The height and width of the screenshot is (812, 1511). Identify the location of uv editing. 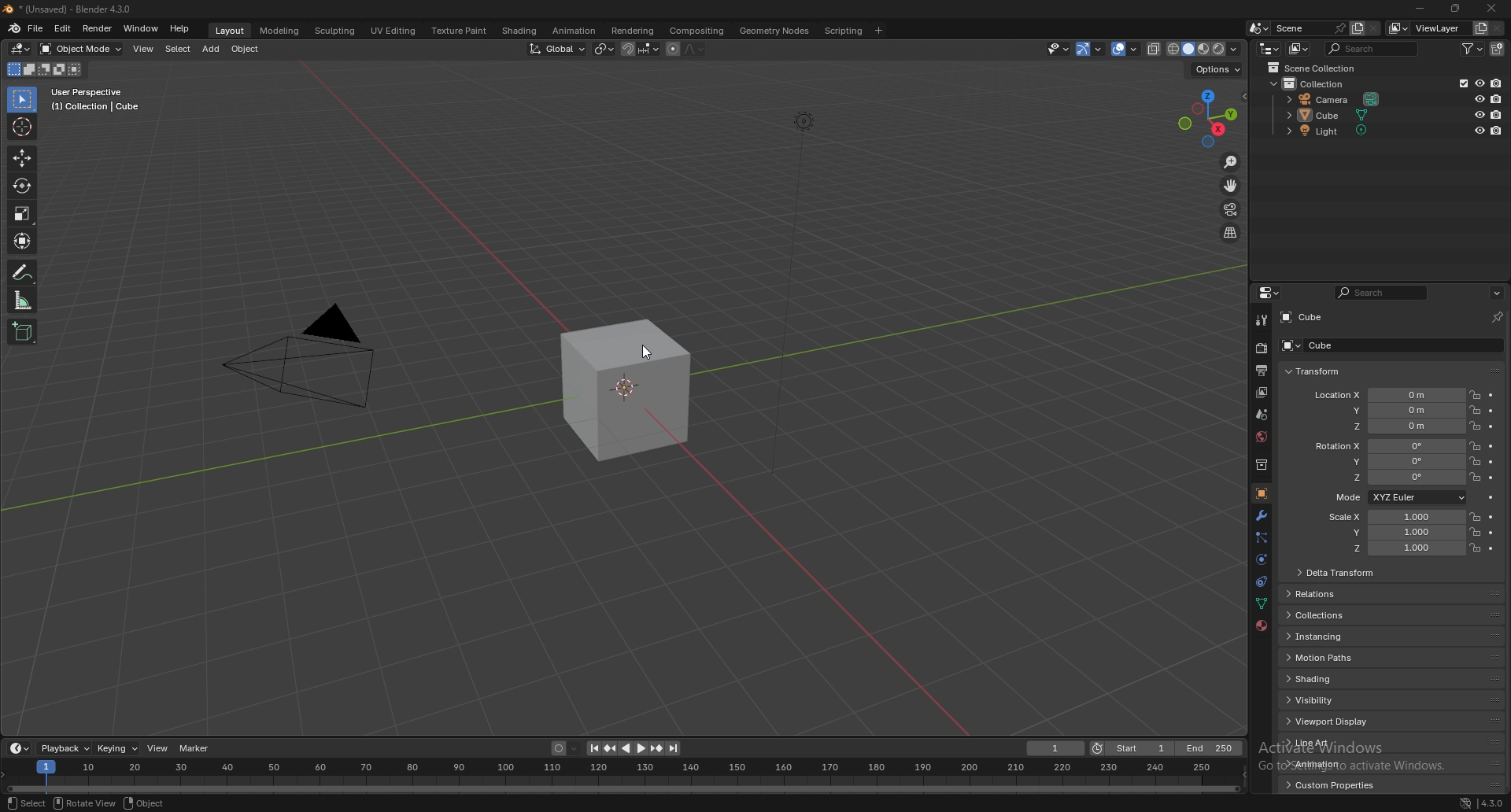
(393, 31).